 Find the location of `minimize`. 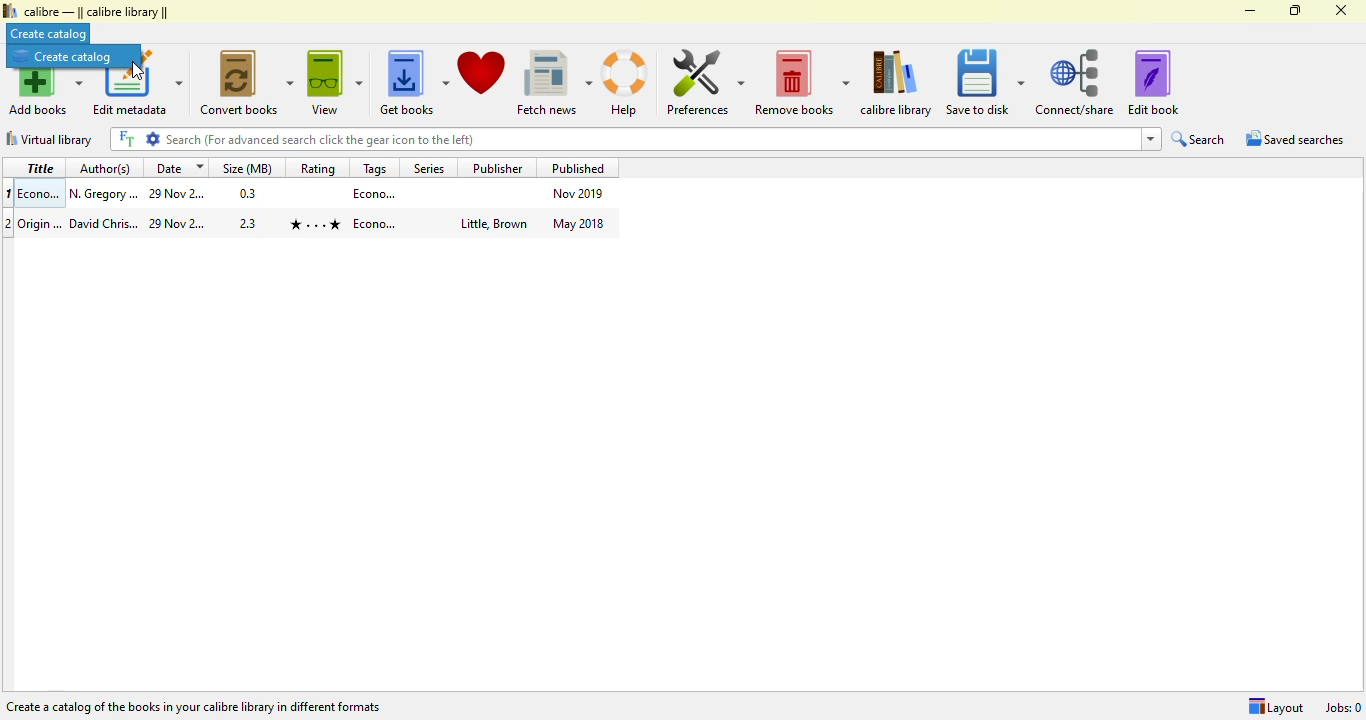

minimize is located at coordinates (1250, 11).